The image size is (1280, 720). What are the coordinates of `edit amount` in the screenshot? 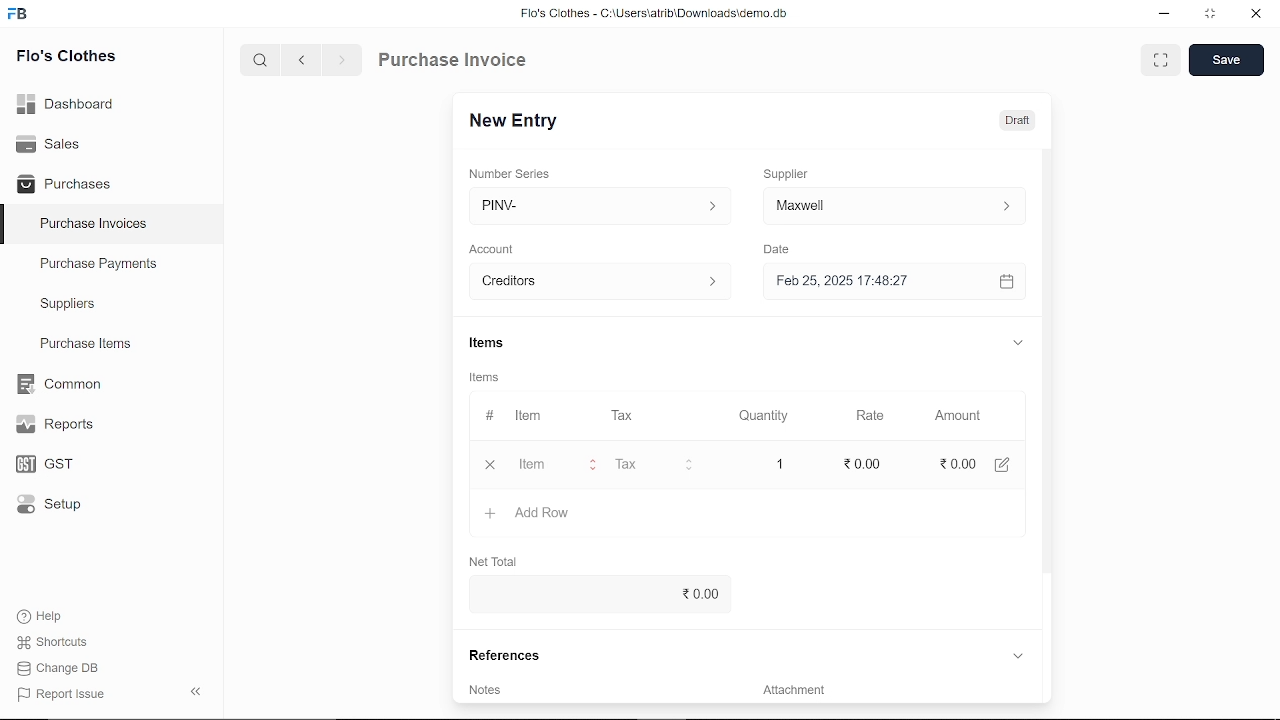 It's located at (1009, 464).